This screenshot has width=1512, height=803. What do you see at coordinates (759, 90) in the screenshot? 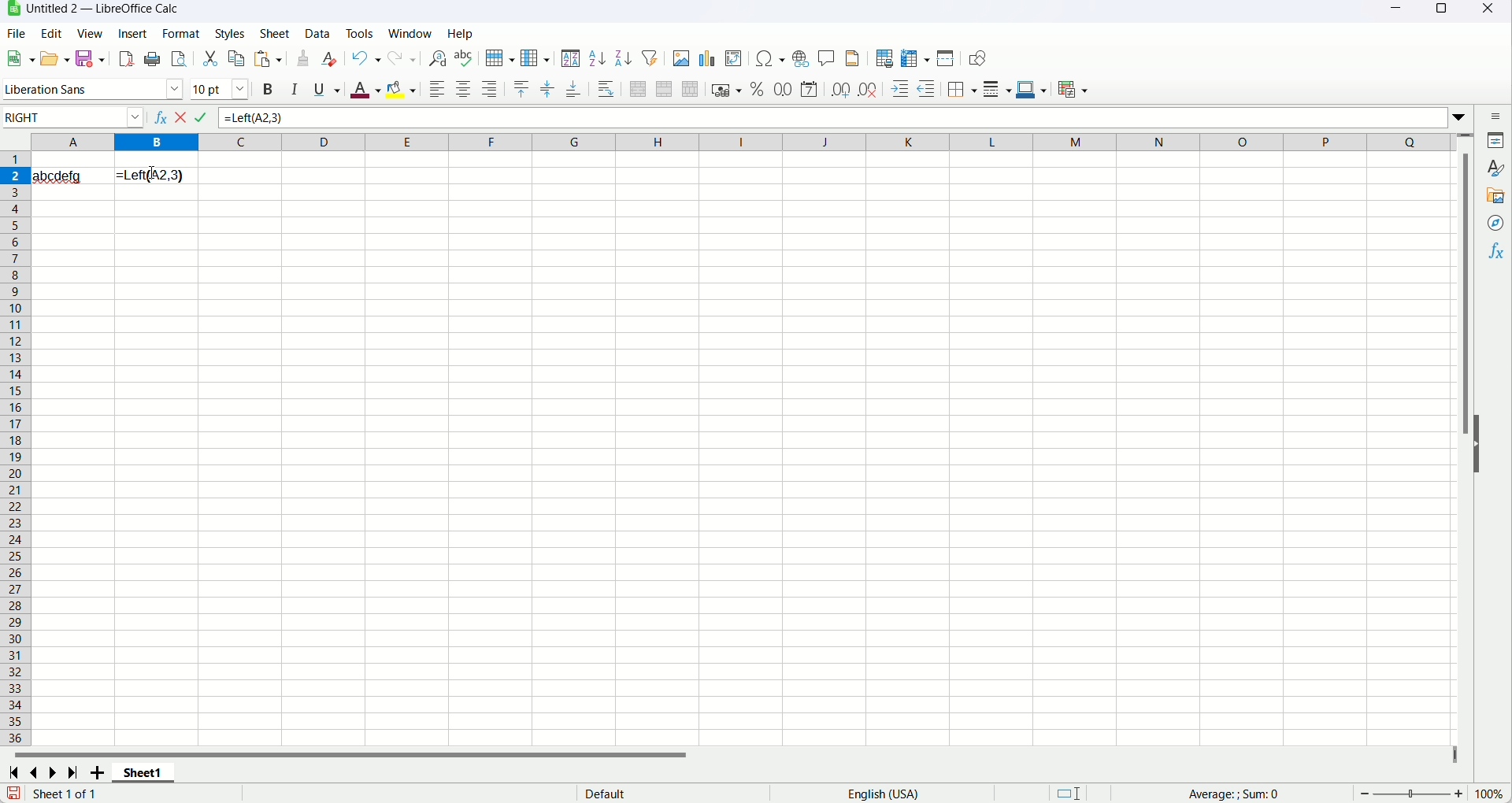
I see `format as percent` at bounding box center [759, 90].